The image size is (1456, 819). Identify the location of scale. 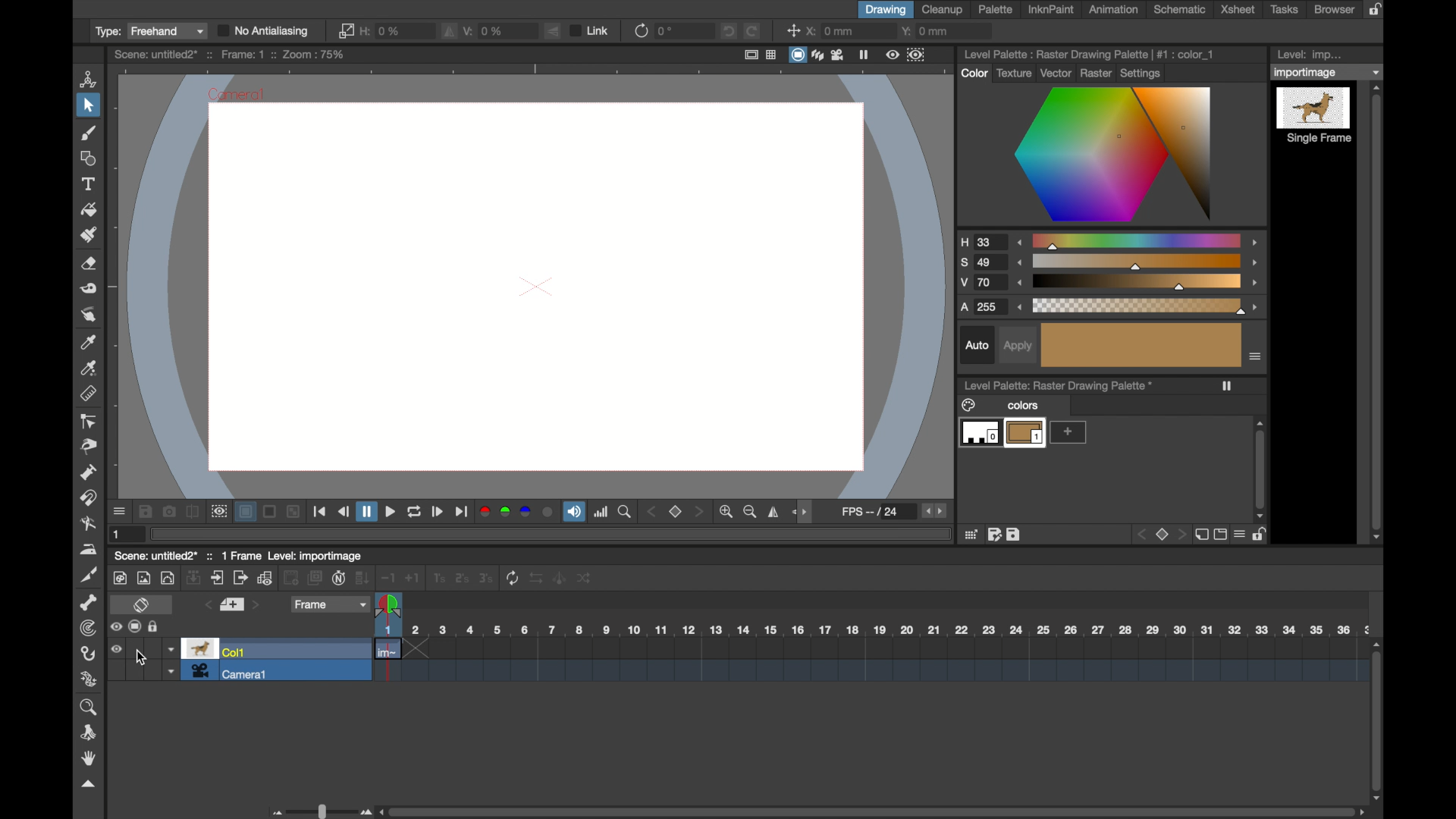
(1137, 262).